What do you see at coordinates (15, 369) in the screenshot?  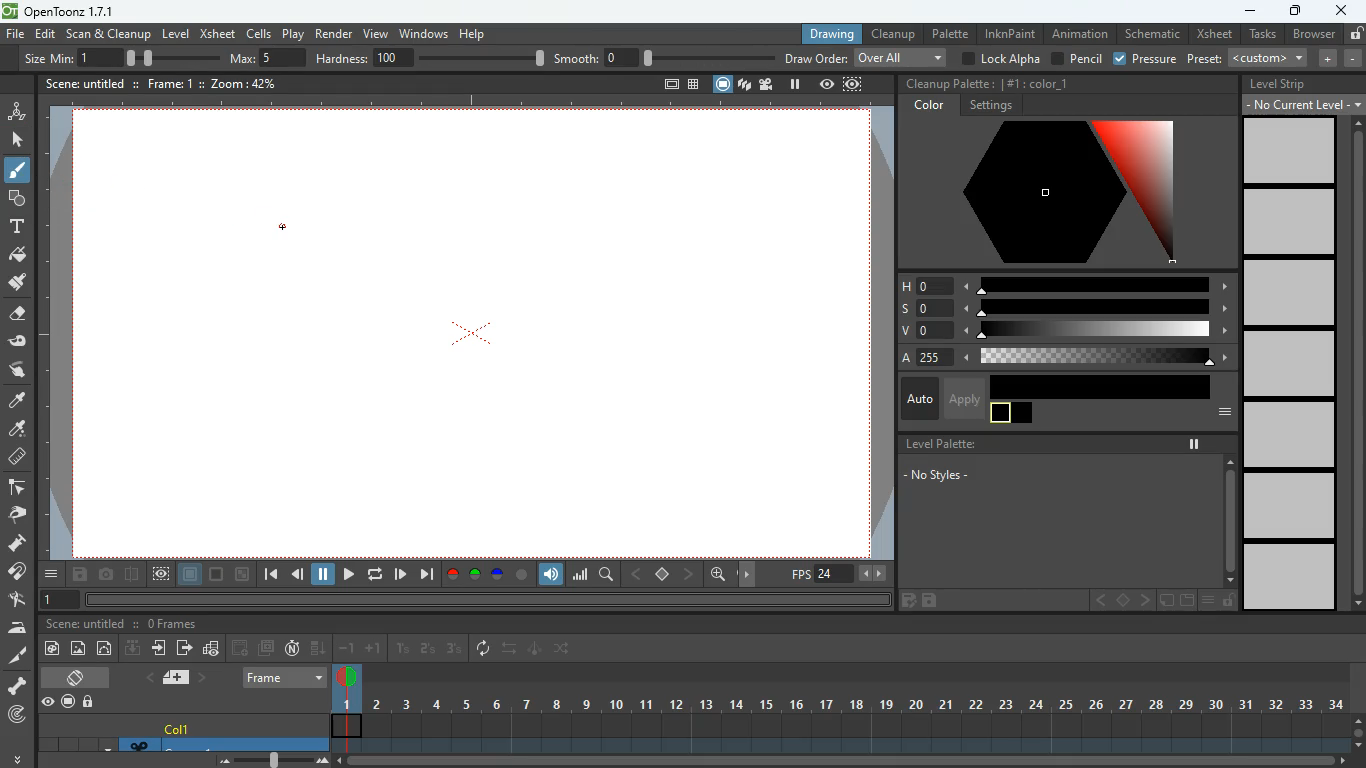 I see `swipe` at bounding box center [15, 369].